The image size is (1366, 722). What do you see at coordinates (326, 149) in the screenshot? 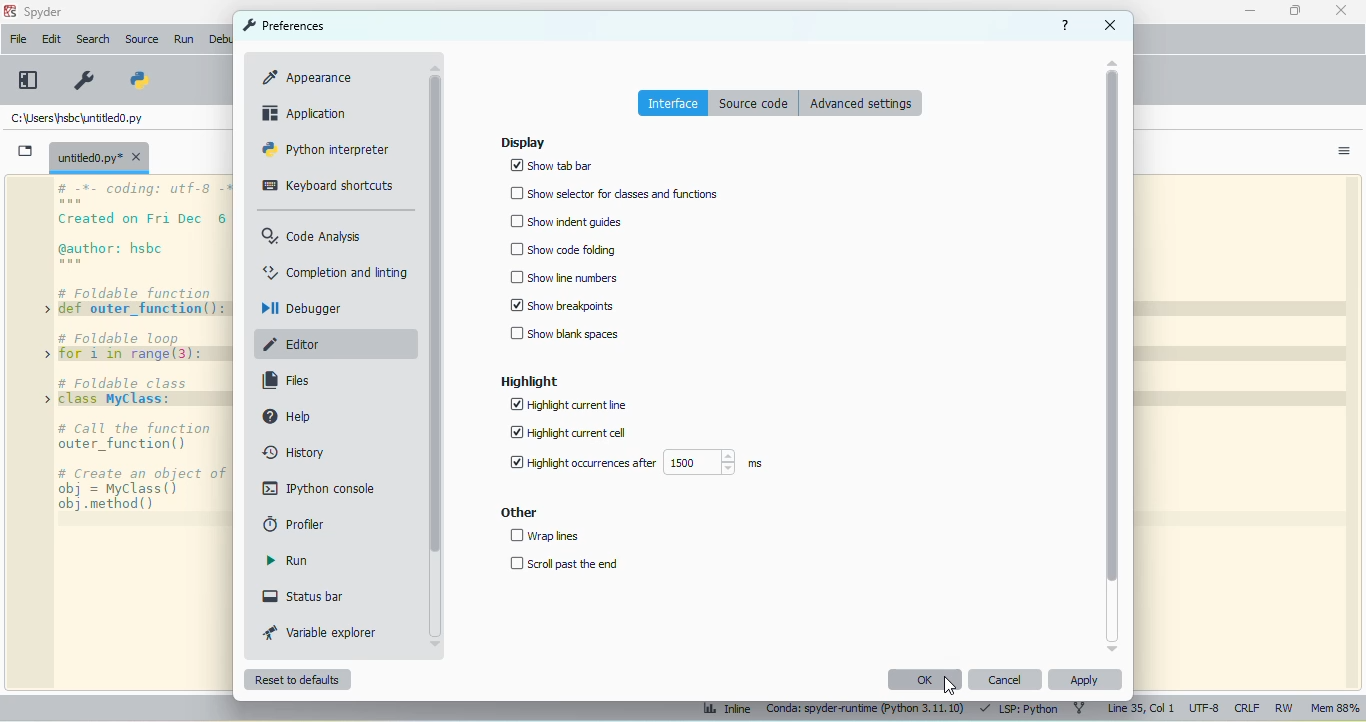
I see `python interpreter` at bounding box center [326, 149].